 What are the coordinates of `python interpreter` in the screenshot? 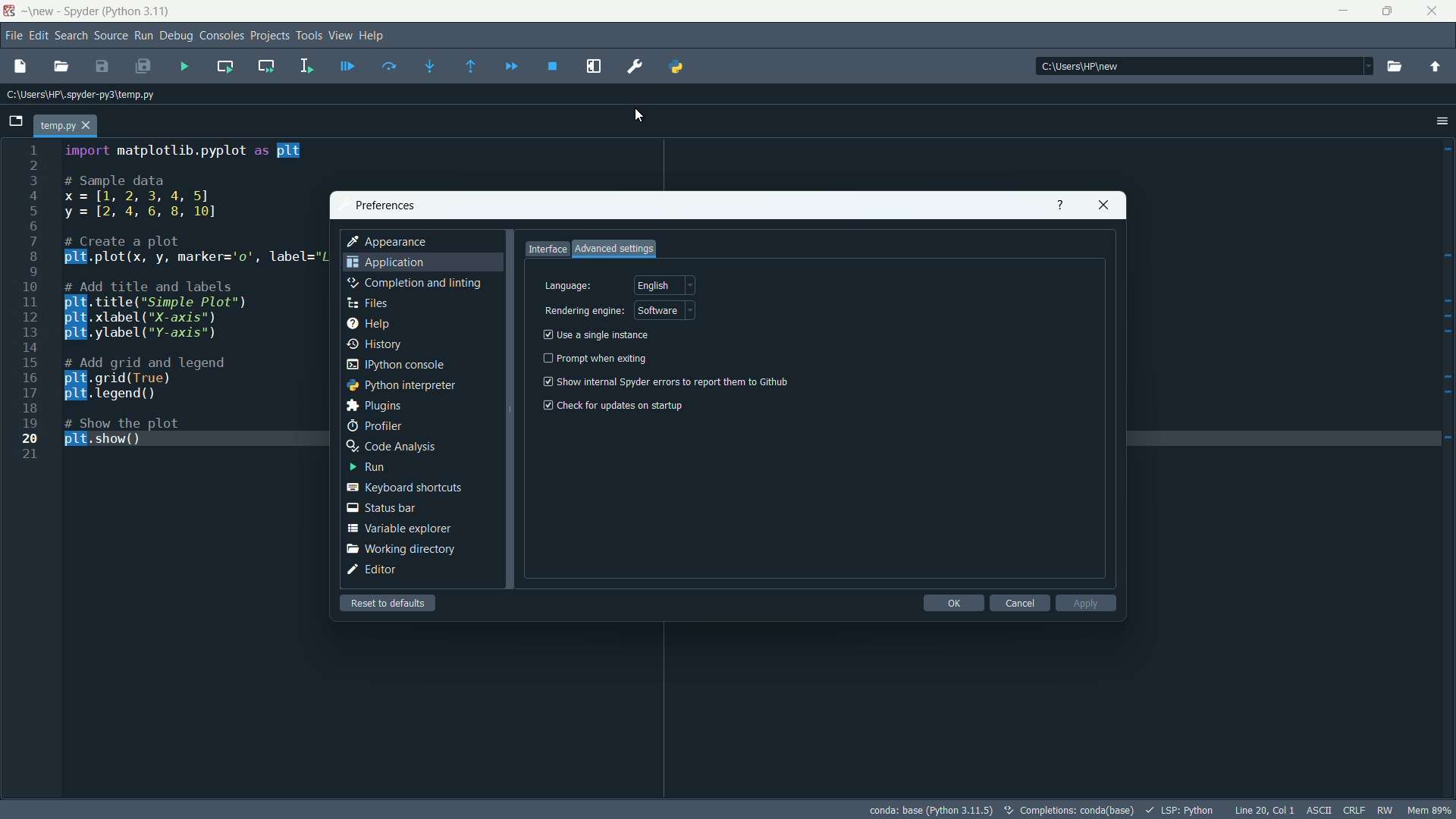 It's located at (401, 385).